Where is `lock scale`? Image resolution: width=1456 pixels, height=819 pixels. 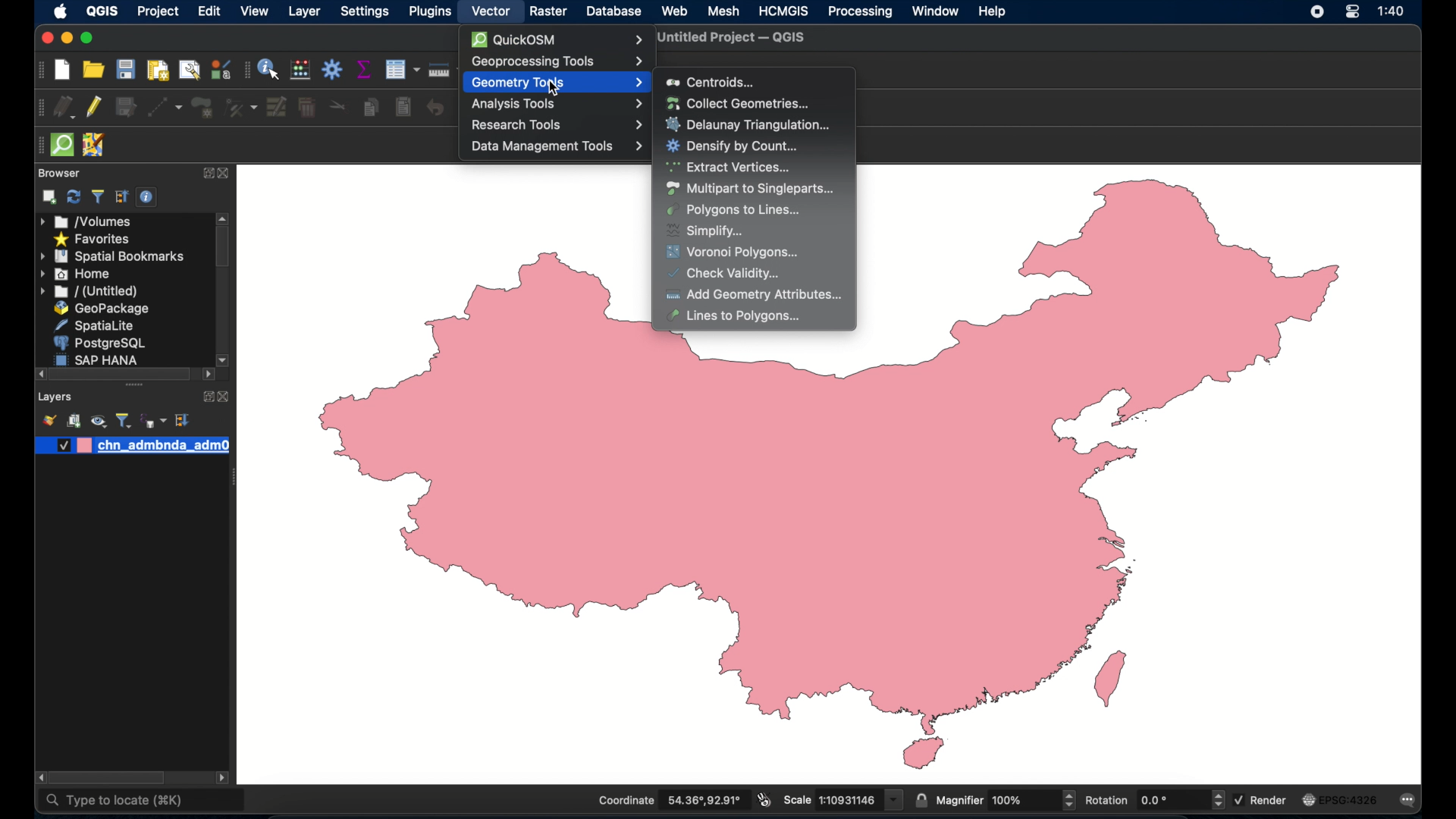
lock scale is located at coordinates (920, 799).